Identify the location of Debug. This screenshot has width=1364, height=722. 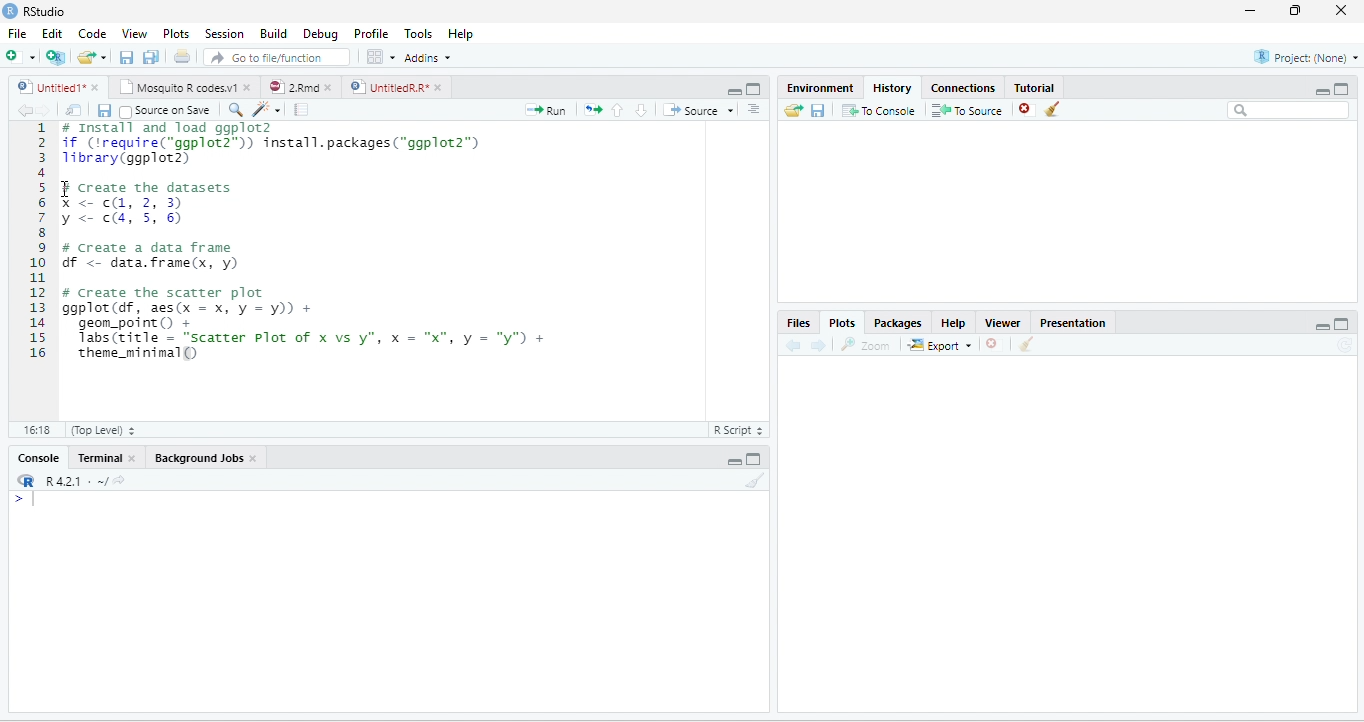
(320, 33).